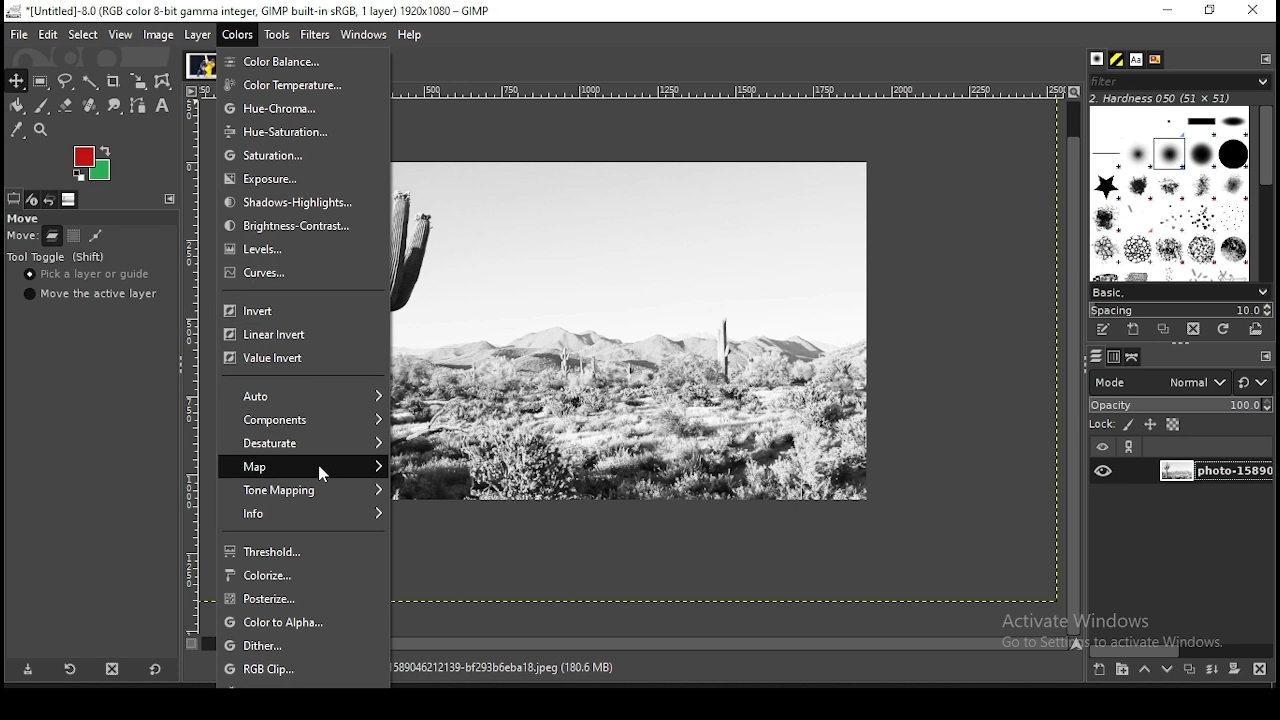 The height and width of the screenshot is (720, 1280). Describe the element at coordinates (67, 106) in the screenshot. I see `eraser tool` at that location.